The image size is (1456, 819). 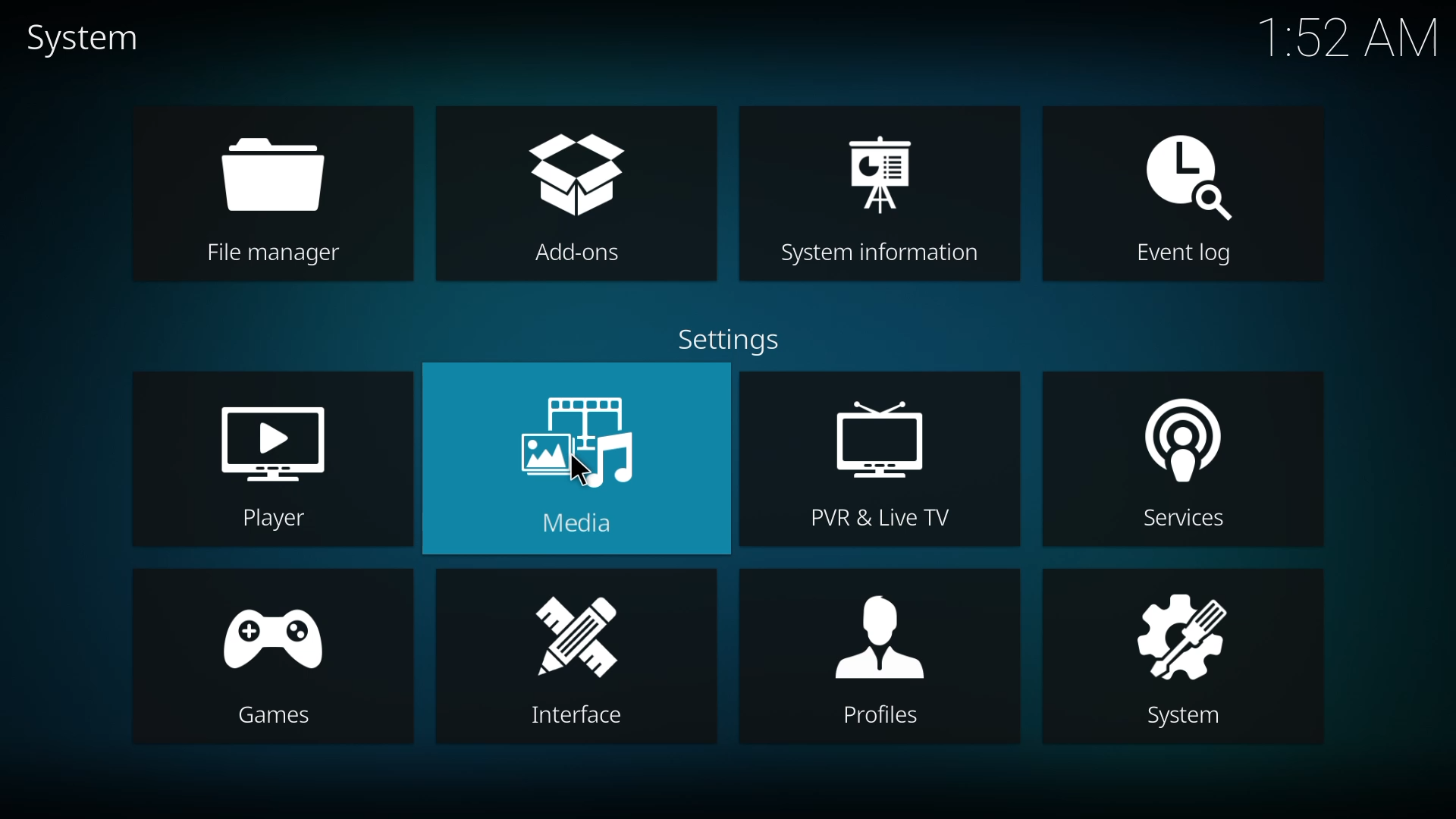 What do you see at coordinates (883, 202) in the screenshot?
I see `system information` at bounding box center [883, 202].